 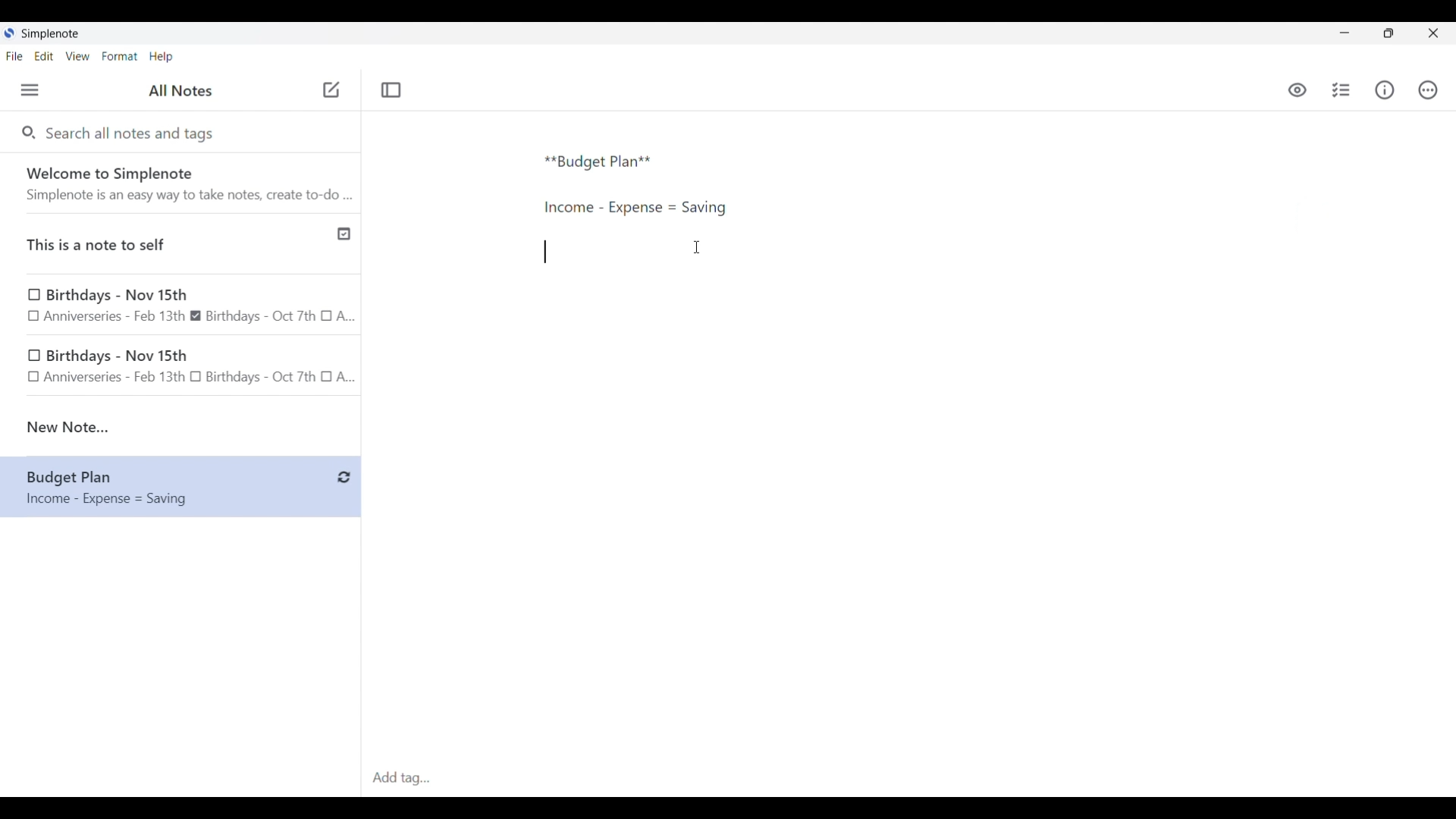 What do you see at coordinates (78, 55) in the screenshot?
I see `View menu` at bounding box center [78, 55].